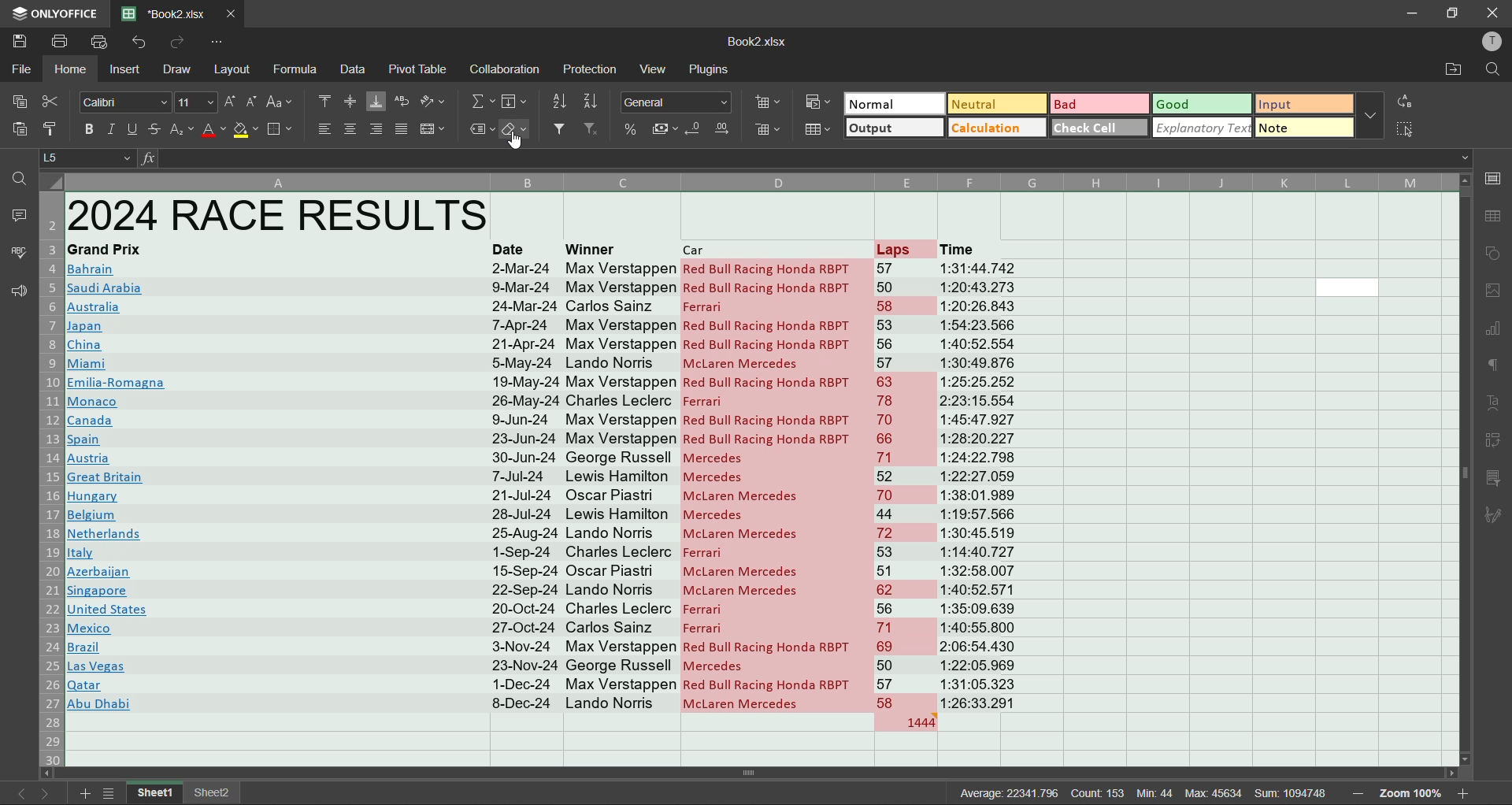 Image resolution: width=1512 pixels, height=805 pixels. Describe the element at coordinates (354, 69) in the screenshot. I see `data` at that location.